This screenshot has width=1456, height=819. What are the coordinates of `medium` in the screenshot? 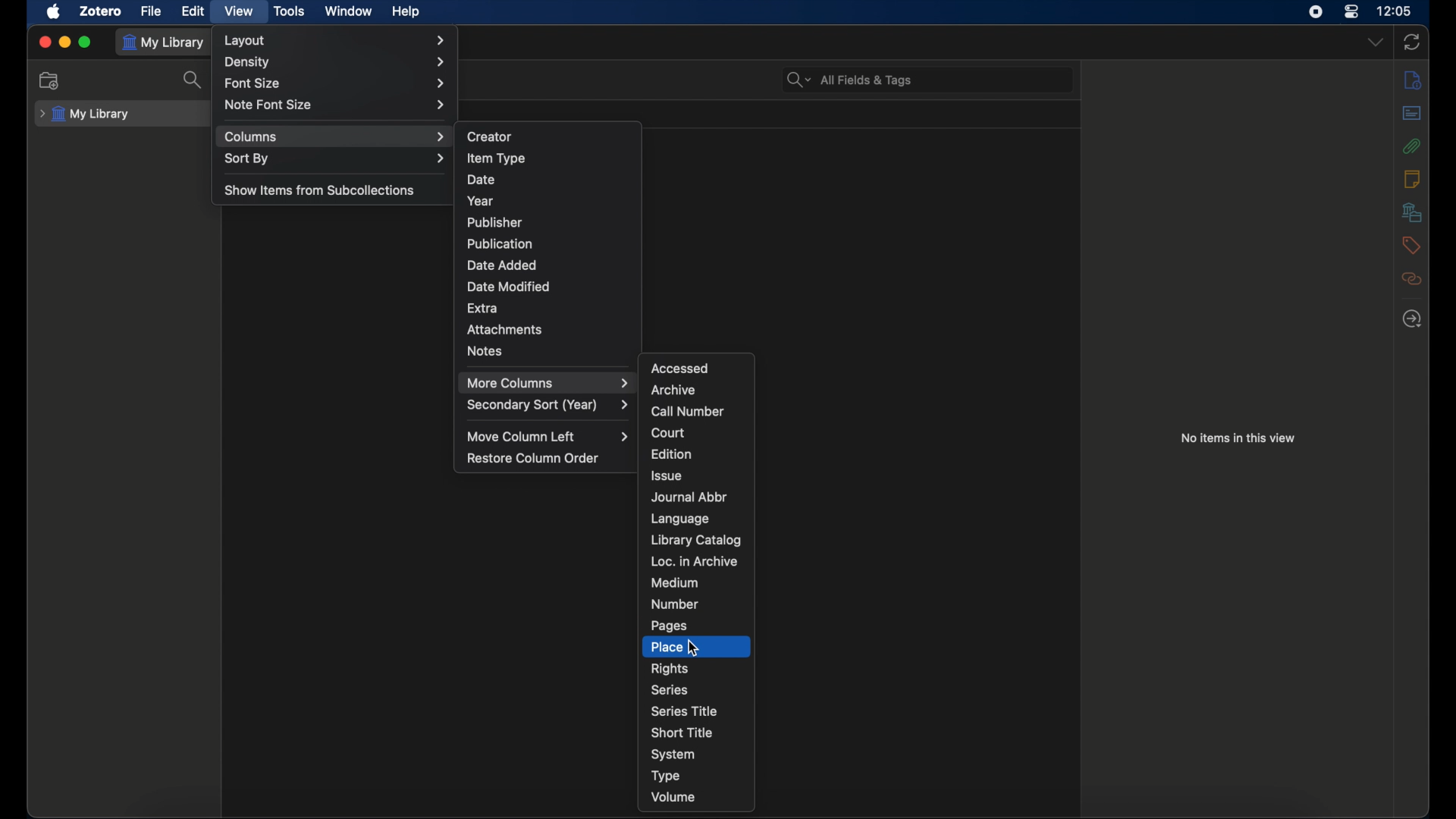 It's located at (676, 583).